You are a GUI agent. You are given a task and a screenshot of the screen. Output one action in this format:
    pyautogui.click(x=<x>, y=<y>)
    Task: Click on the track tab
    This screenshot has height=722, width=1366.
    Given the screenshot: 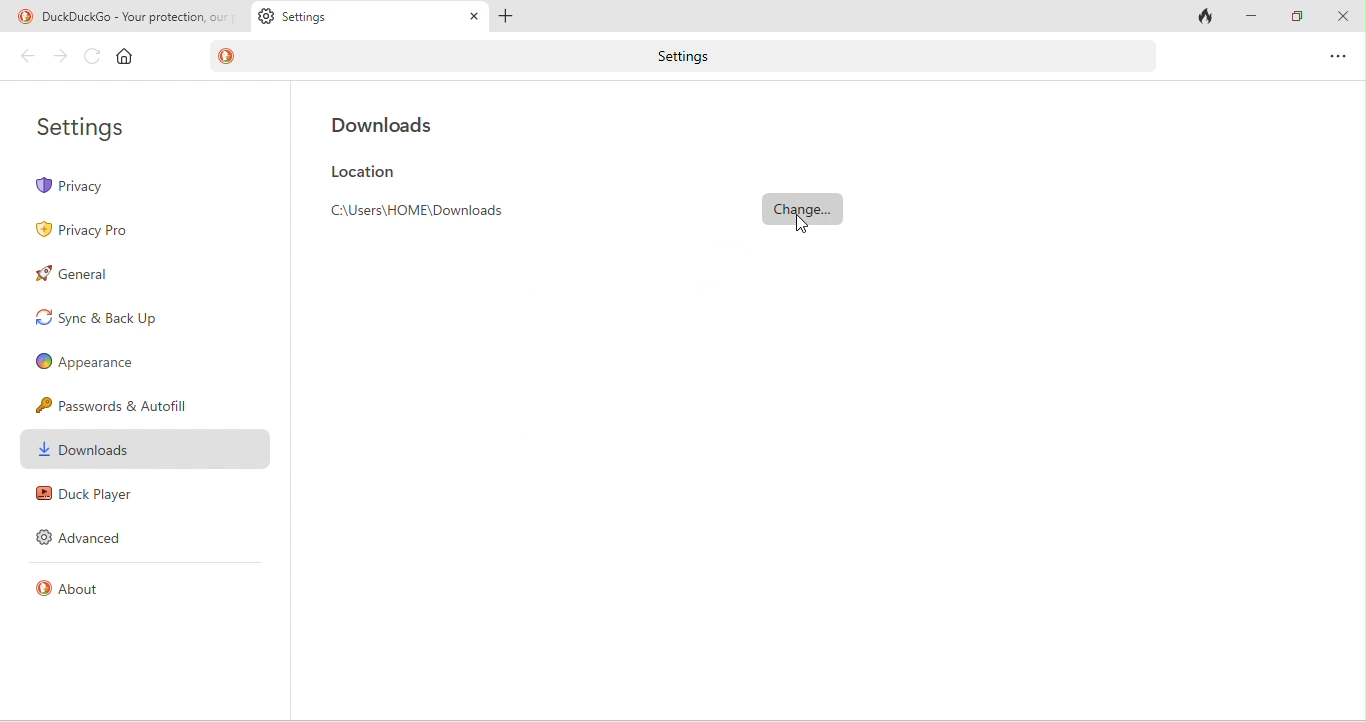 What is the action you would take?
    pyautogui.click(x=1202, y=18)
    